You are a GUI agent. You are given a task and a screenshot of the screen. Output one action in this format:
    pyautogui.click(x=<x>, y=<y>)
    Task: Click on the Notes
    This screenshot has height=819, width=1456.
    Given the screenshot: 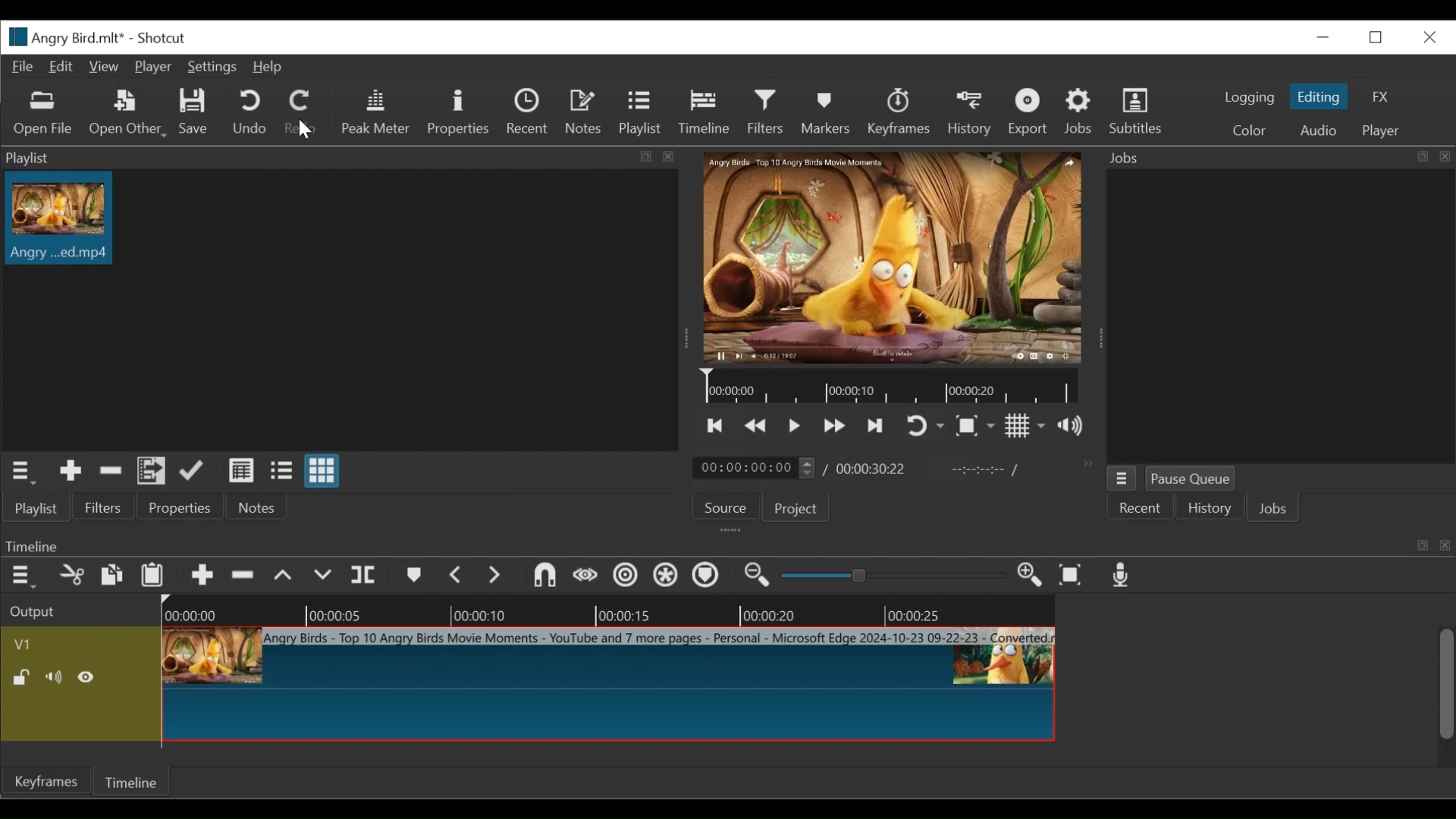 What is the action you would take?
    pyautogui.click(x=585, y=112)
    